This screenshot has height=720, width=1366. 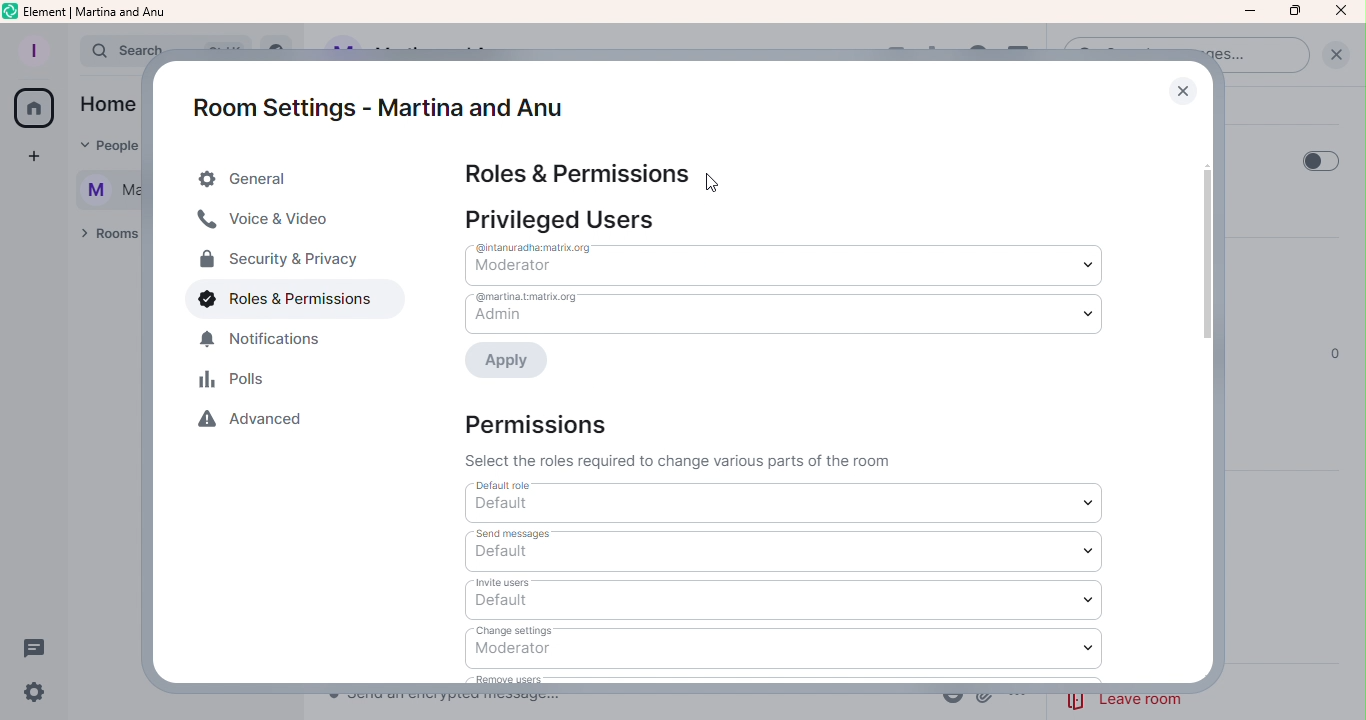 I want to click on Home, so click(x=105, y=106).